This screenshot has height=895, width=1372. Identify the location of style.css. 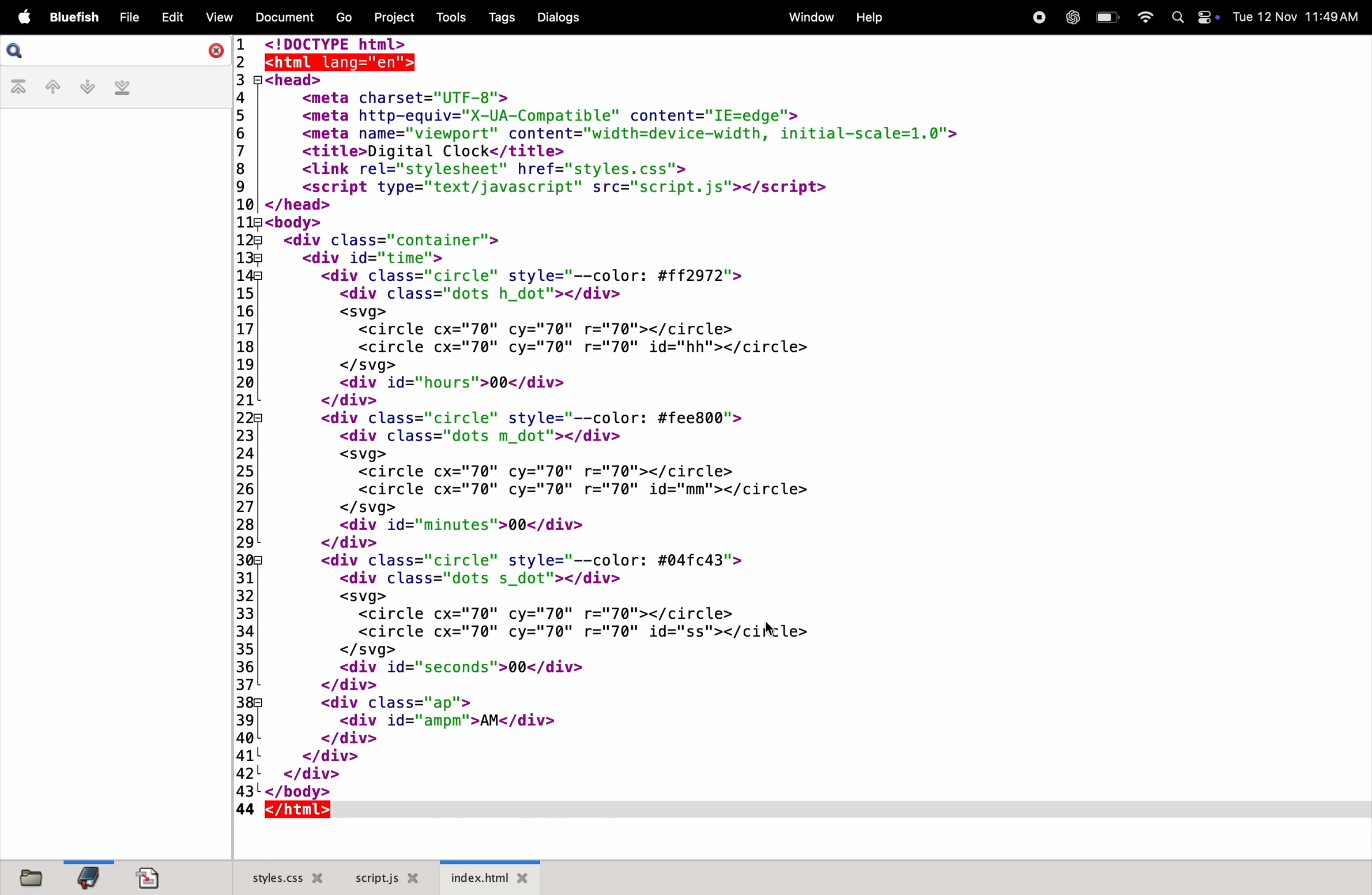
(281, 876).